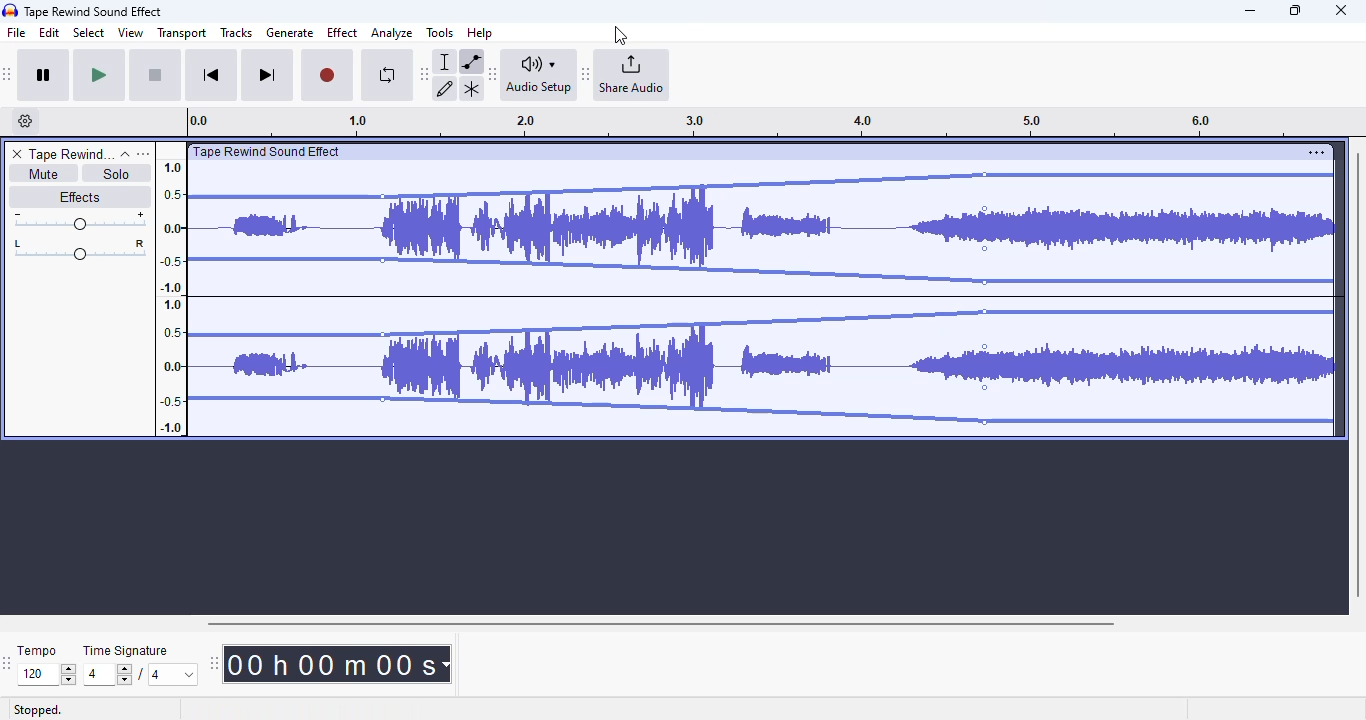 This screenshot has height=720, width=1366. I want to click on Scale to measure sound intensity, so click(172, 296).